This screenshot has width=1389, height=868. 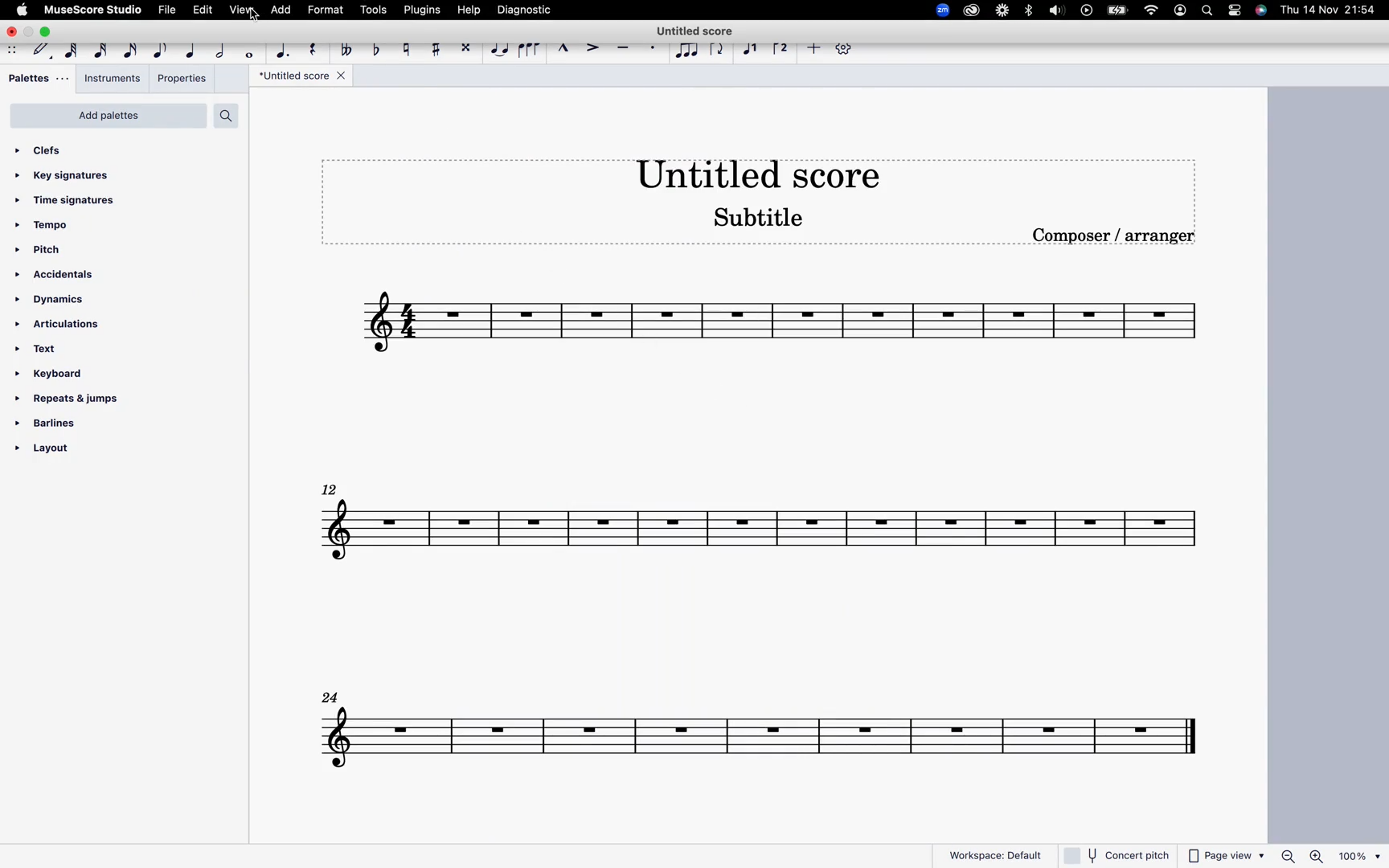 What do you see at coordinates (1031, 10) in the screenshot?
I see `bluetooth` at bounding box center [1031, 10].